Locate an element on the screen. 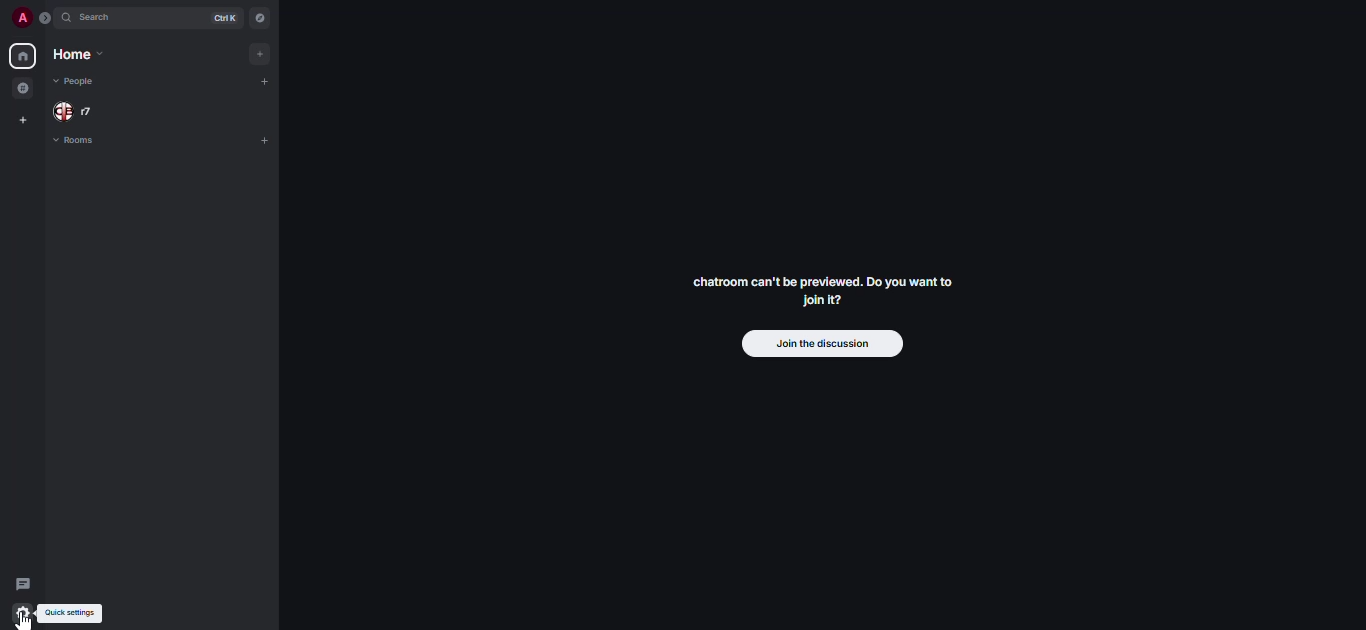  add is located at coordinates (264, 141).